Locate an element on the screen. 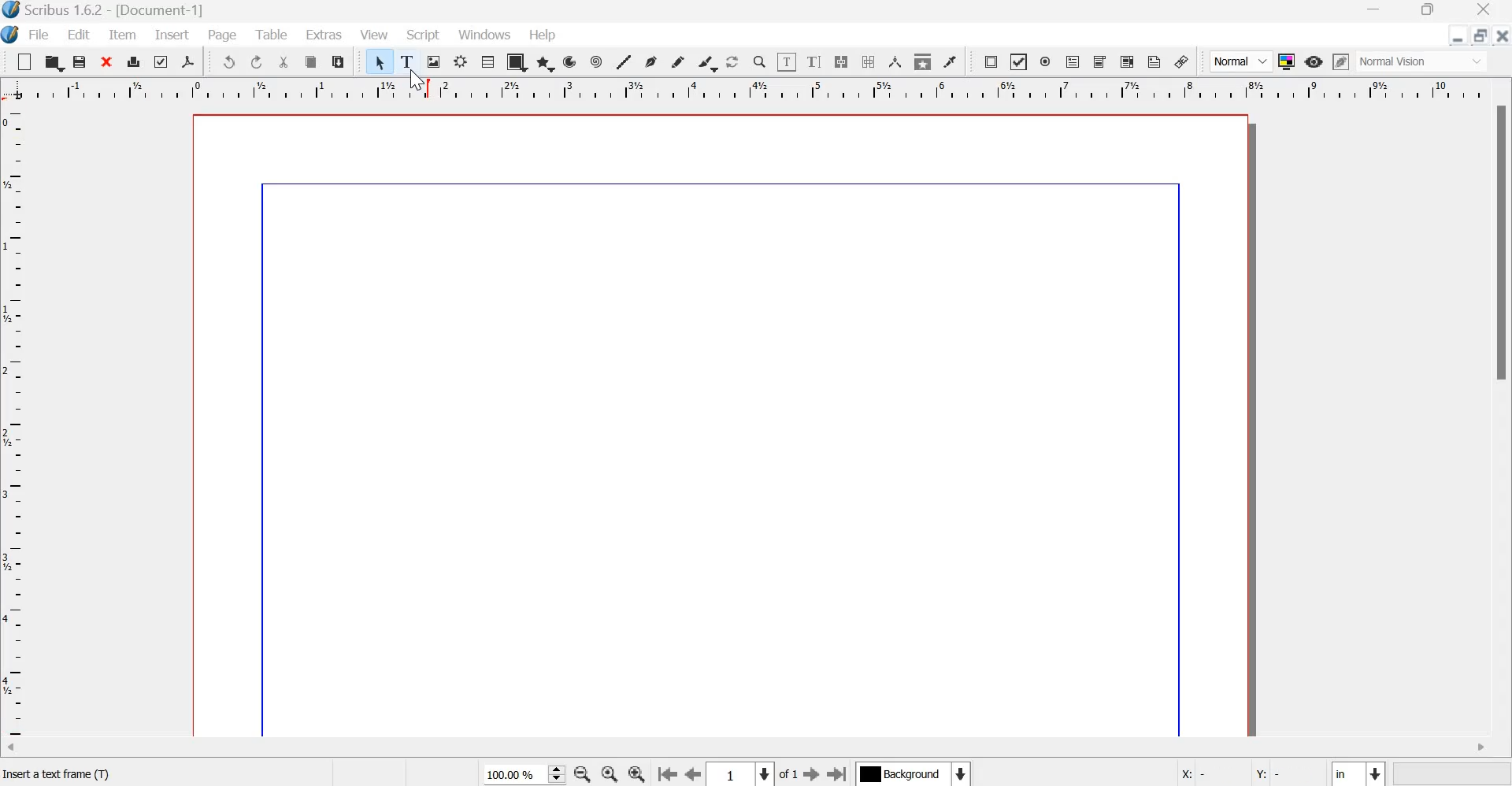 The width and height of the screenshot is (1512, 786). Close is located at coordinates (1484, 11).